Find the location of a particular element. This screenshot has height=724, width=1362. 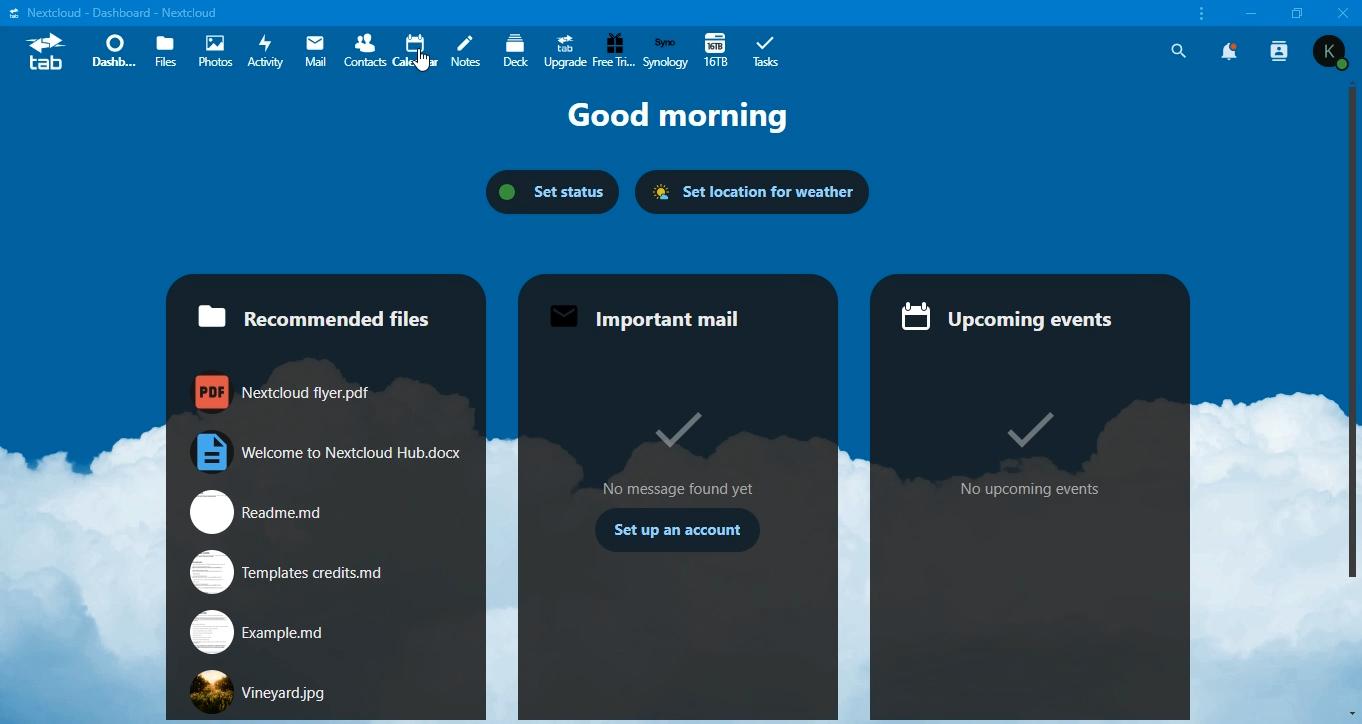

'Nextcloud - Dashboard - Nextcloud is located at coordinates (138, 9).